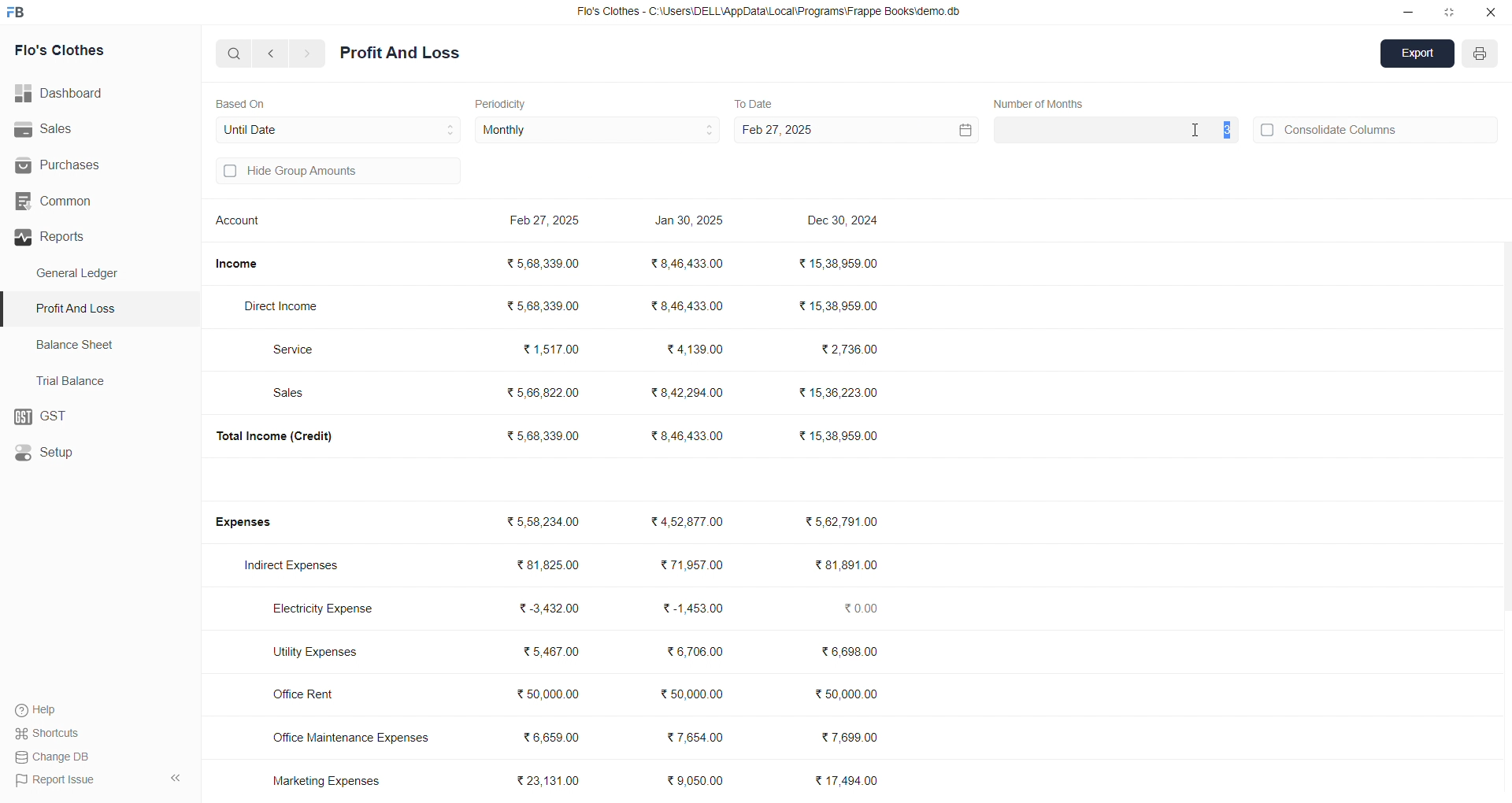 This screenshot has width=1512, height=803. Describe the element at coordinates (67, 94) in the screenshot. I see `Dashboard` at that location.